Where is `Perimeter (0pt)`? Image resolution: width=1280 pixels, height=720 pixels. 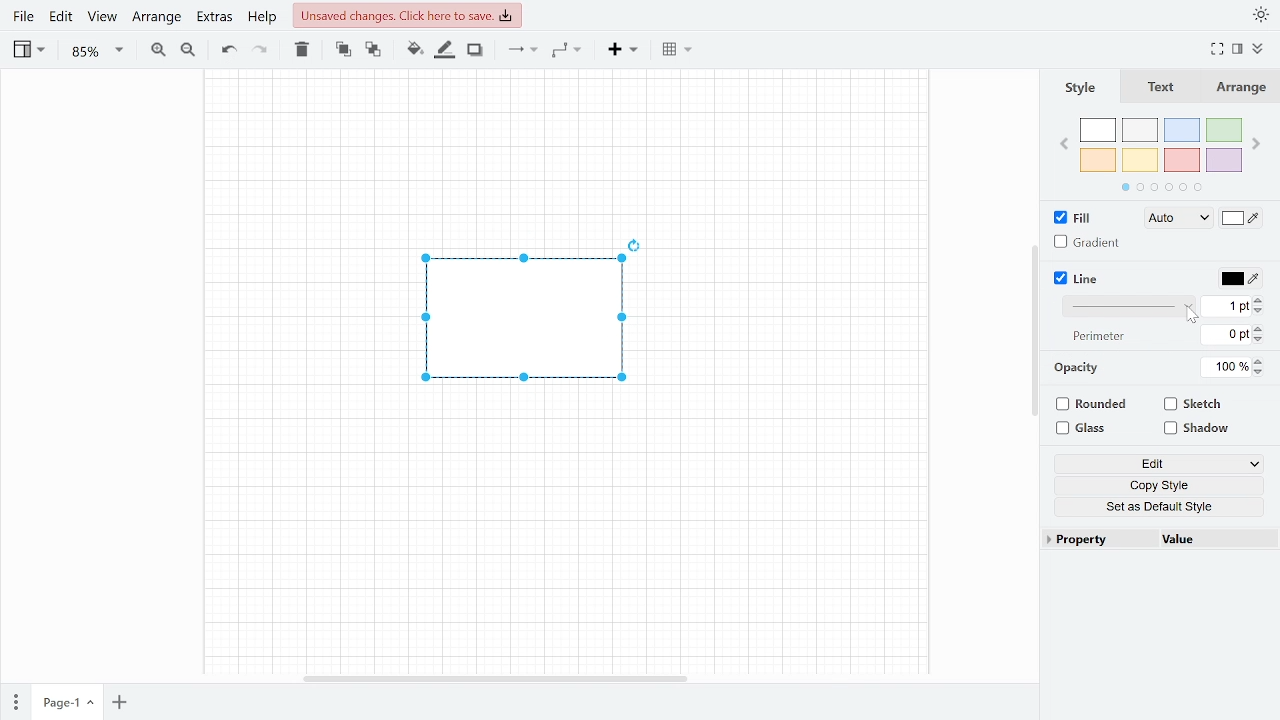 Perimeter (0pt) is located at coordinates (1226, 334).